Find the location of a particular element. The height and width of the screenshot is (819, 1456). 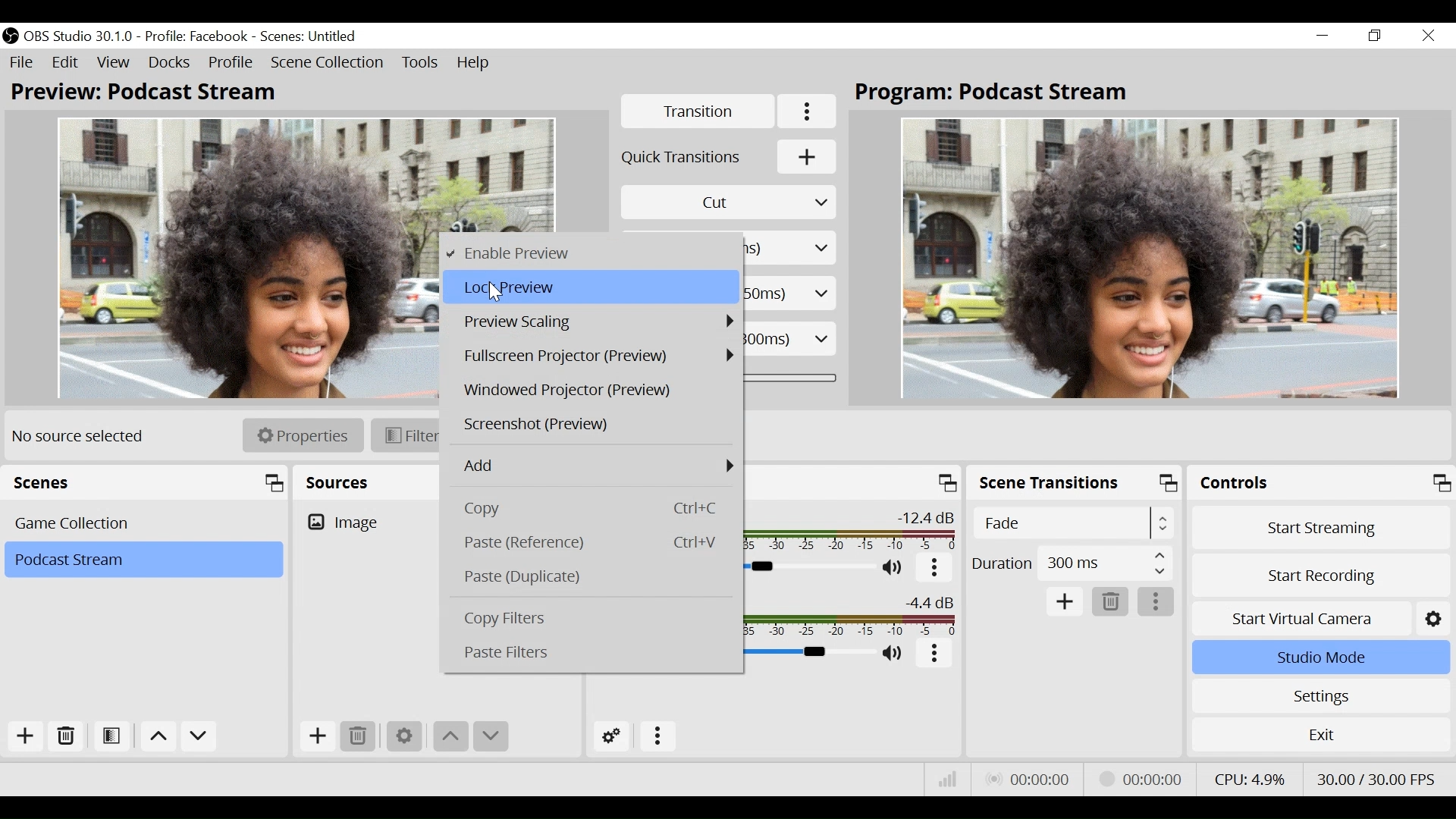

Add is located at coordinates (319, 736).